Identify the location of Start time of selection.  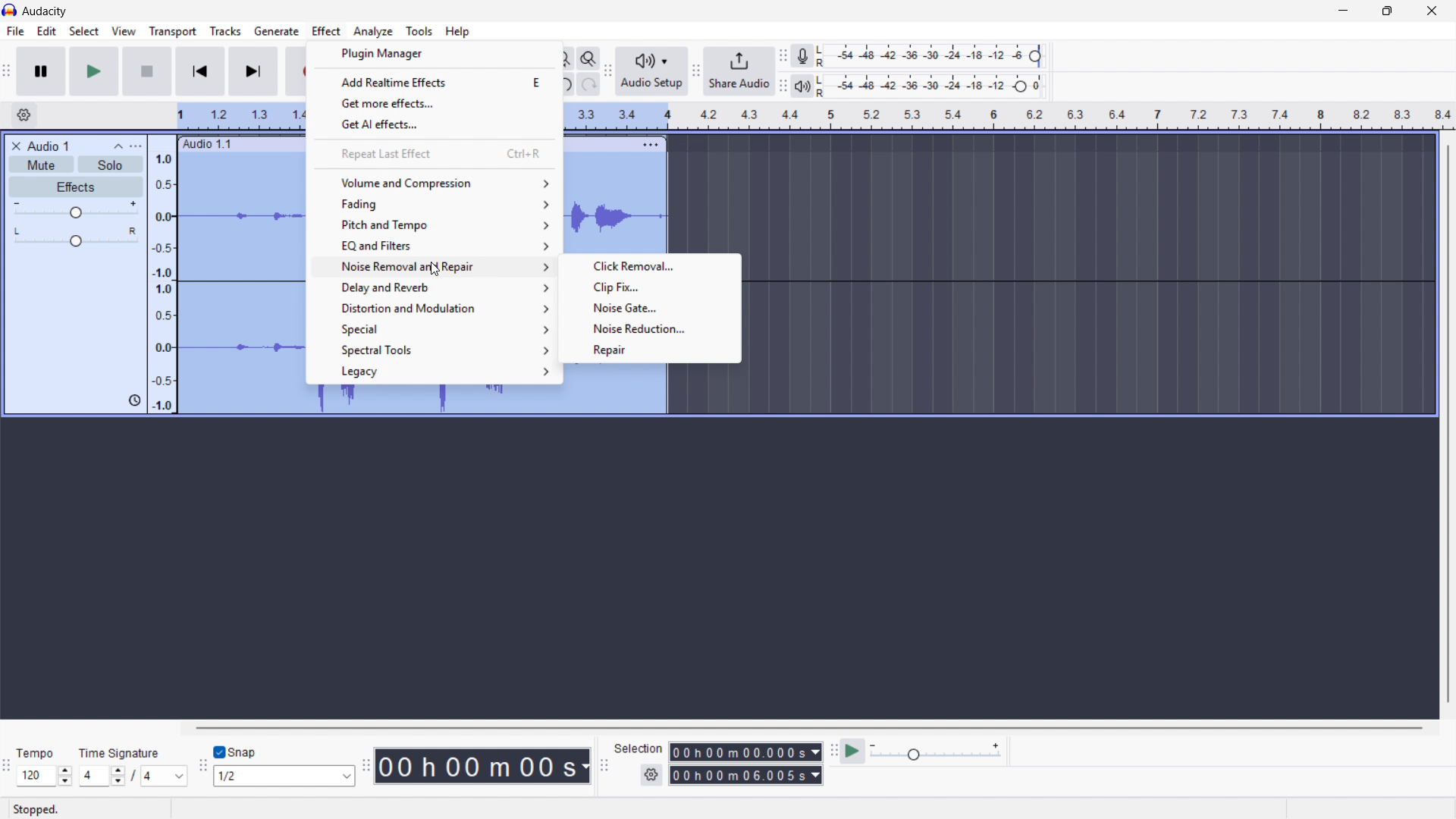
(745, 752).